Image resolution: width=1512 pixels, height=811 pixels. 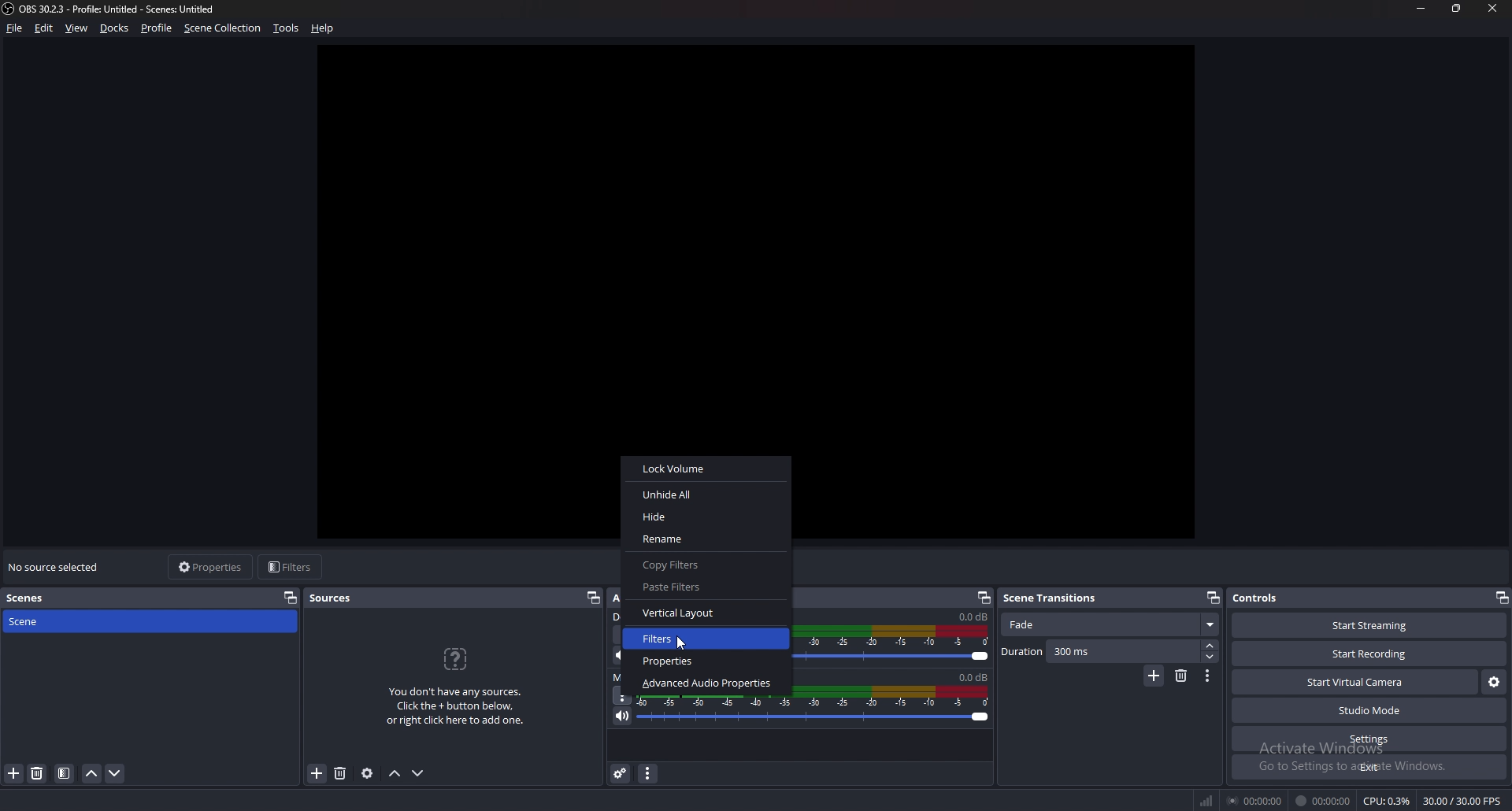 I want to click on duration, so click(x=1099, y=651).